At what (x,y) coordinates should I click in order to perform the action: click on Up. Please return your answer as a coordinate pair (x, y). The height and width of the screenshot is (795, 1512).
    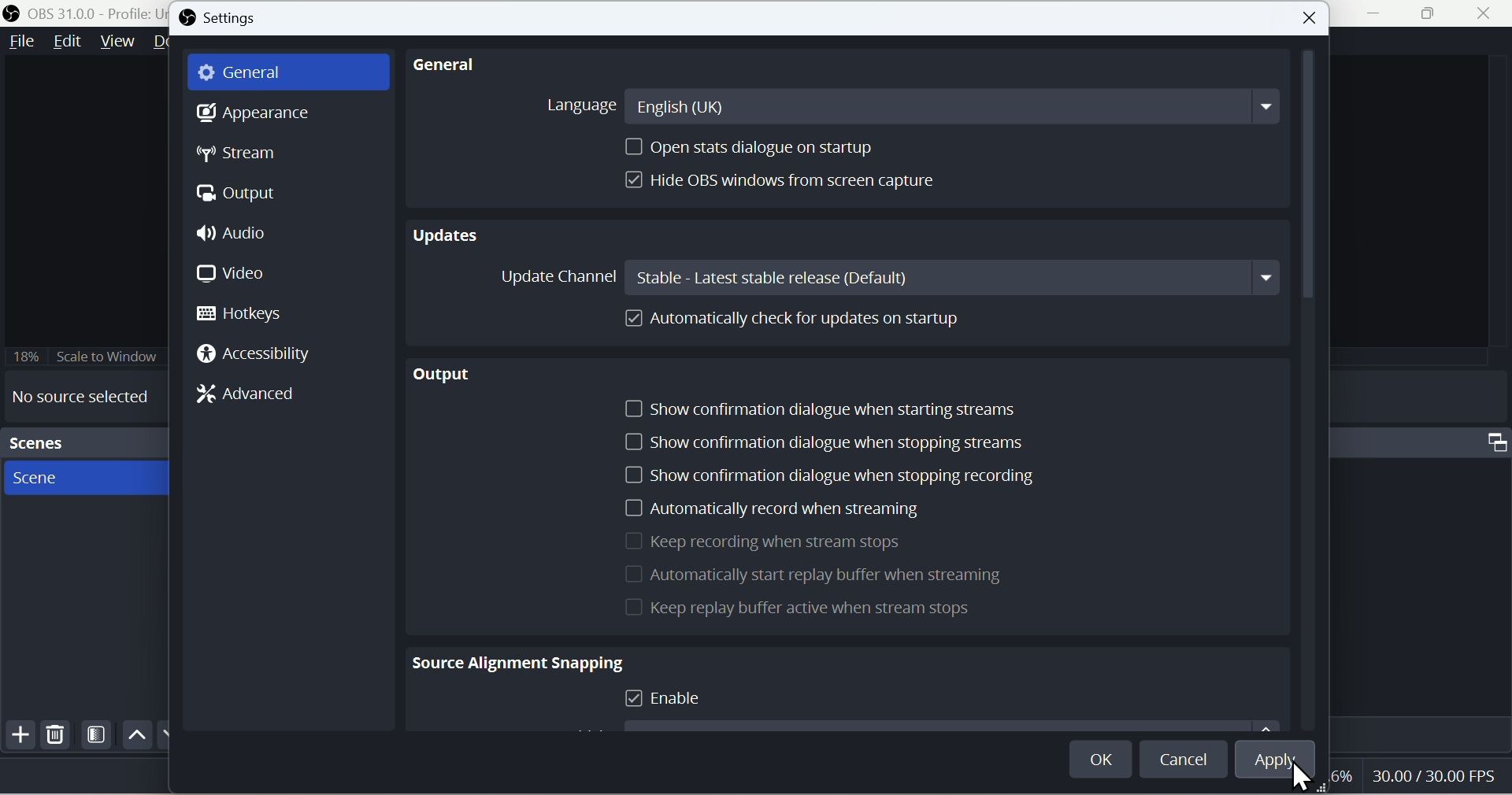
    Looking at the image, I should click on (138, 738).